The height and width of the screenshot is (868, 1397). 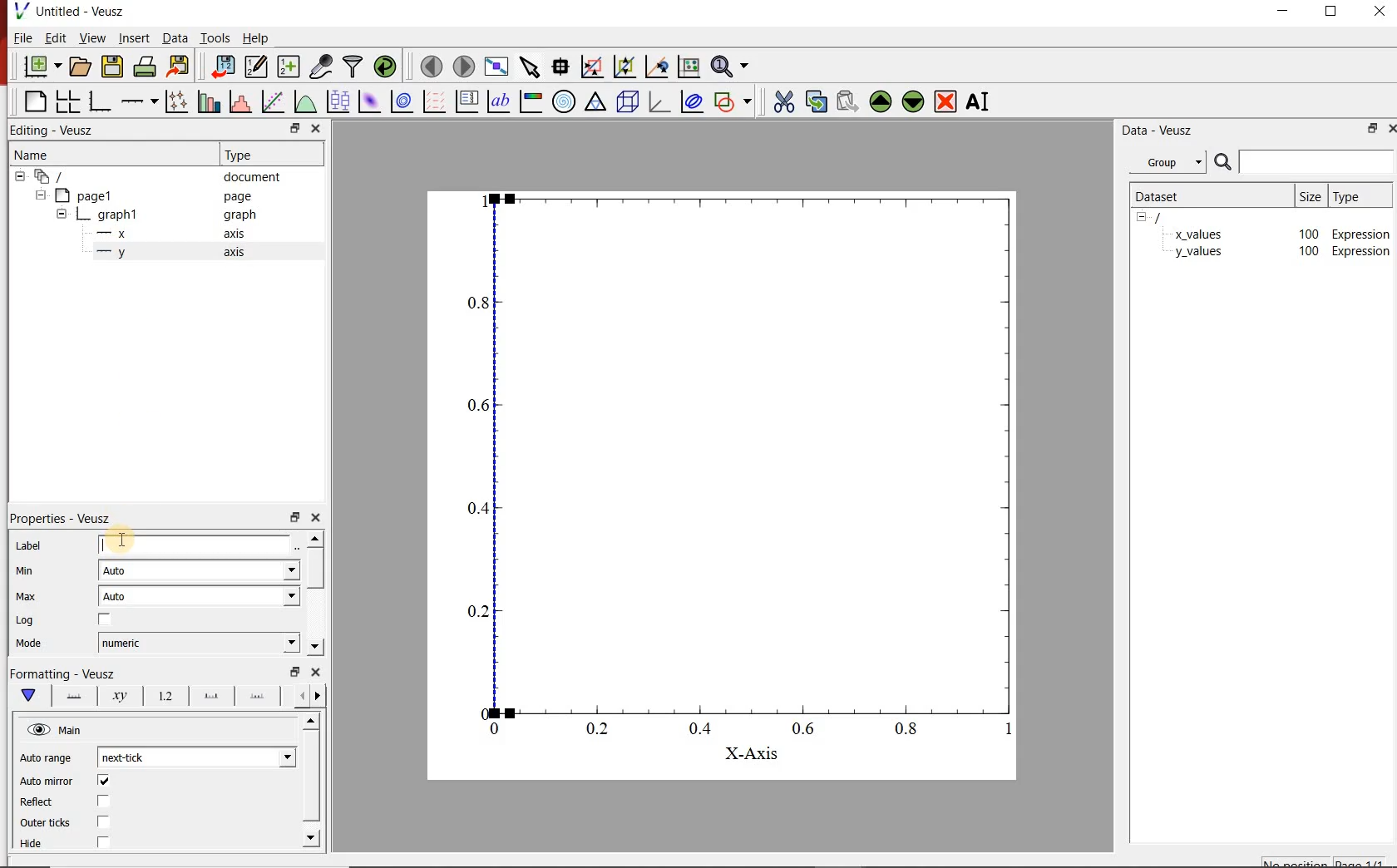 I want to click on save, so click(x=113, y=66).